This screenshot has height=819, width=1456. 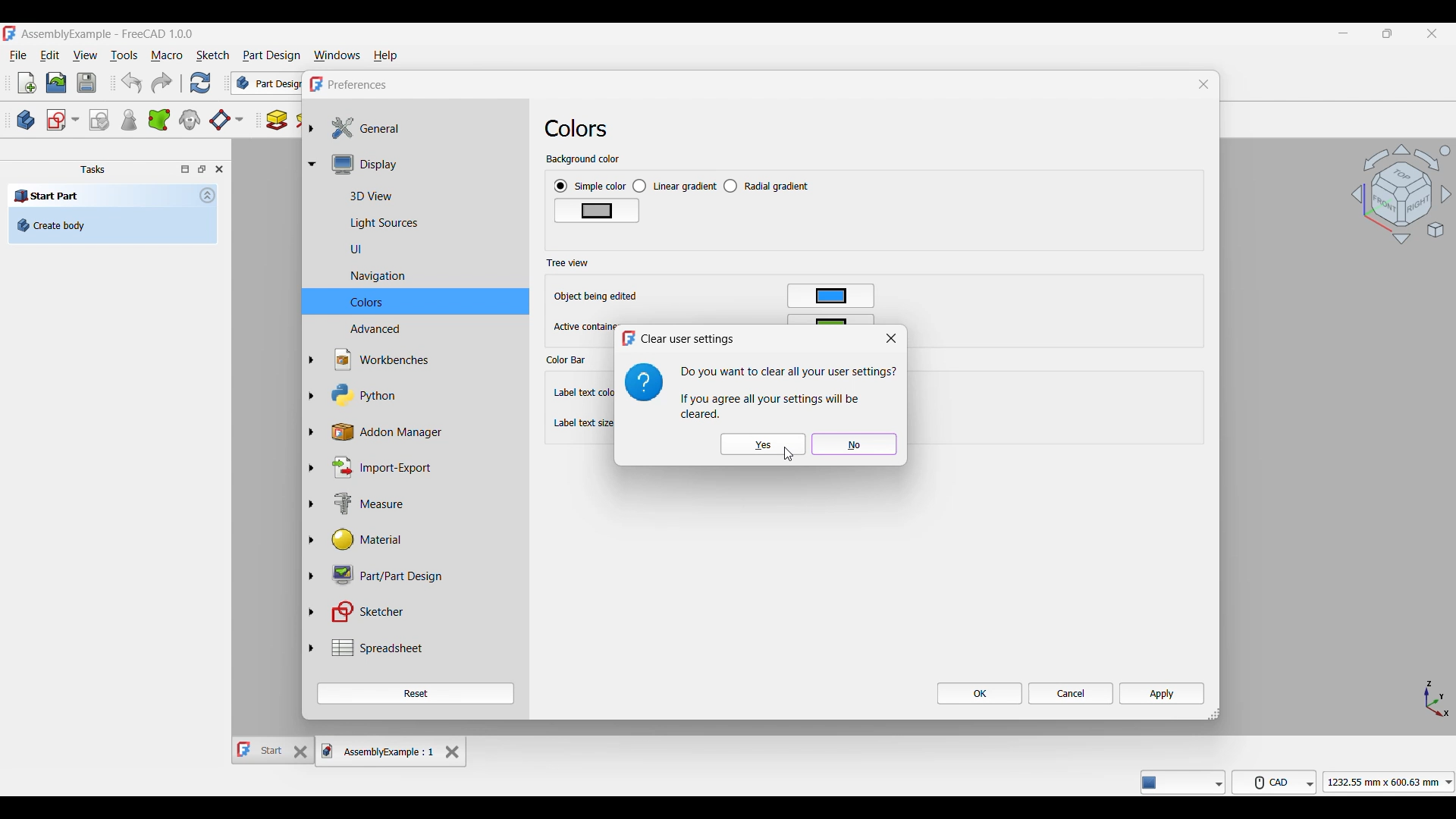 I want to click on Software logo, so click(x=315, y=84).